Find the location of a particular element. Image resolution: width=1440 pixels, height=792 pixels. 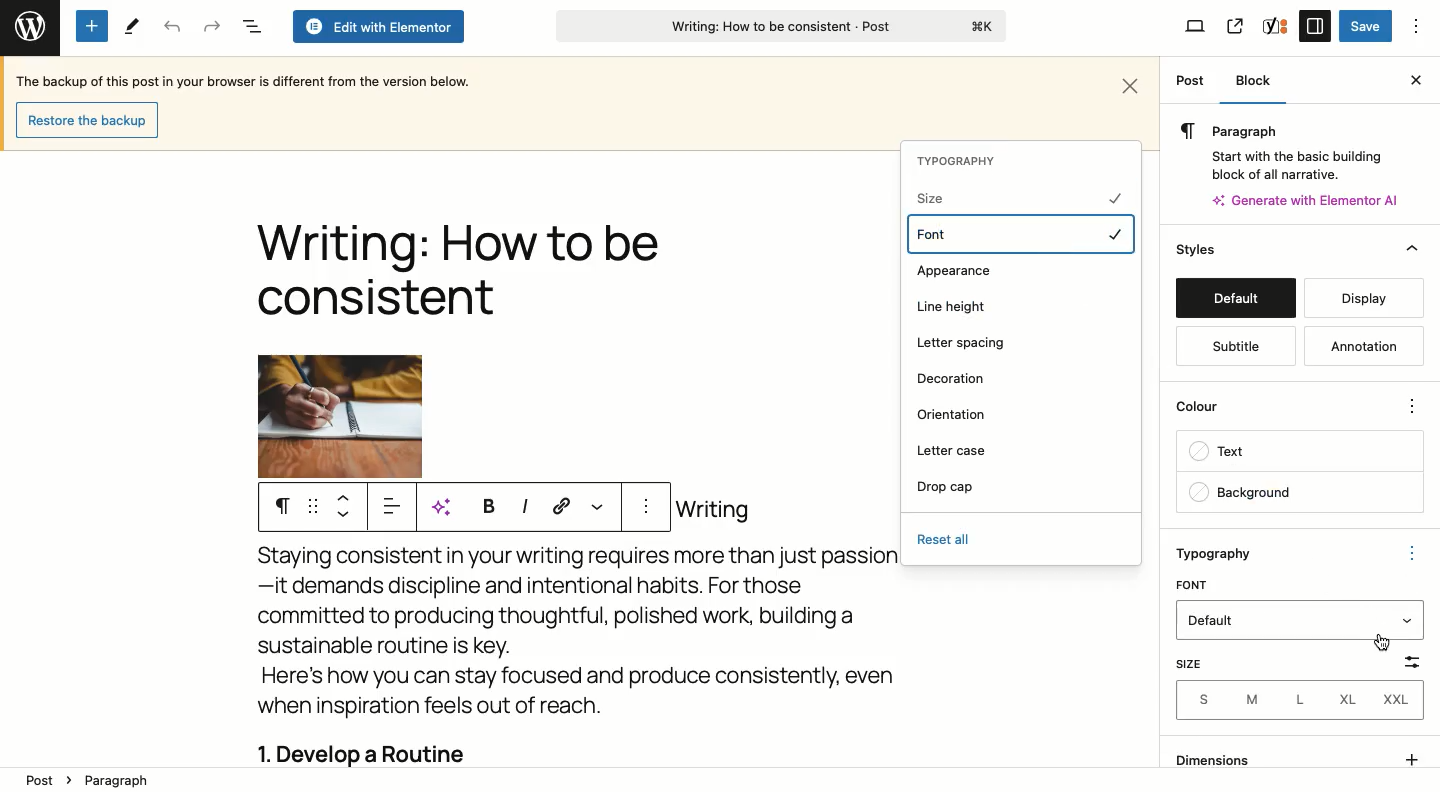

Text is located at coordinates (1299, 453).